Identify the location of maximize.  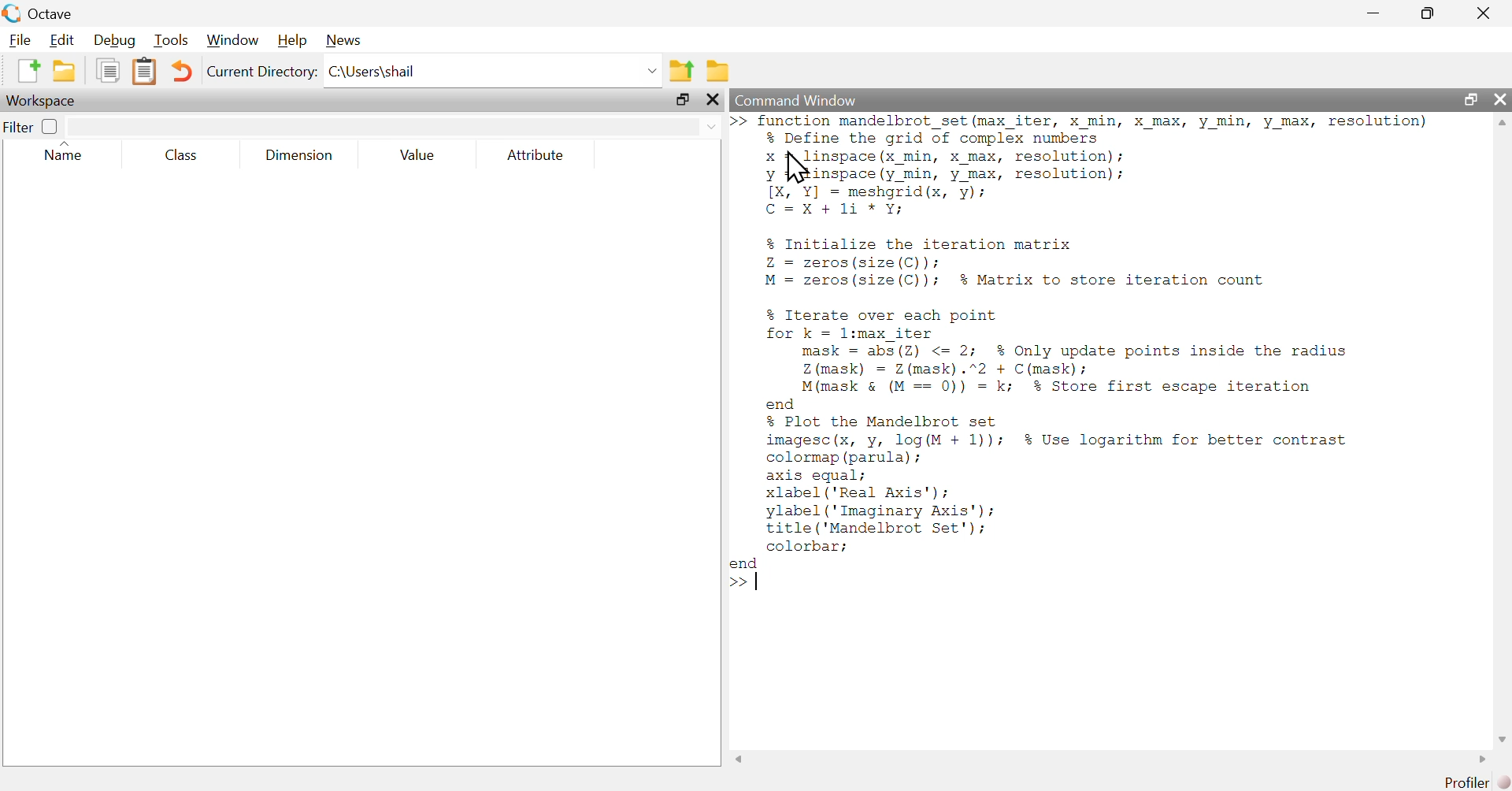
(682, 101).